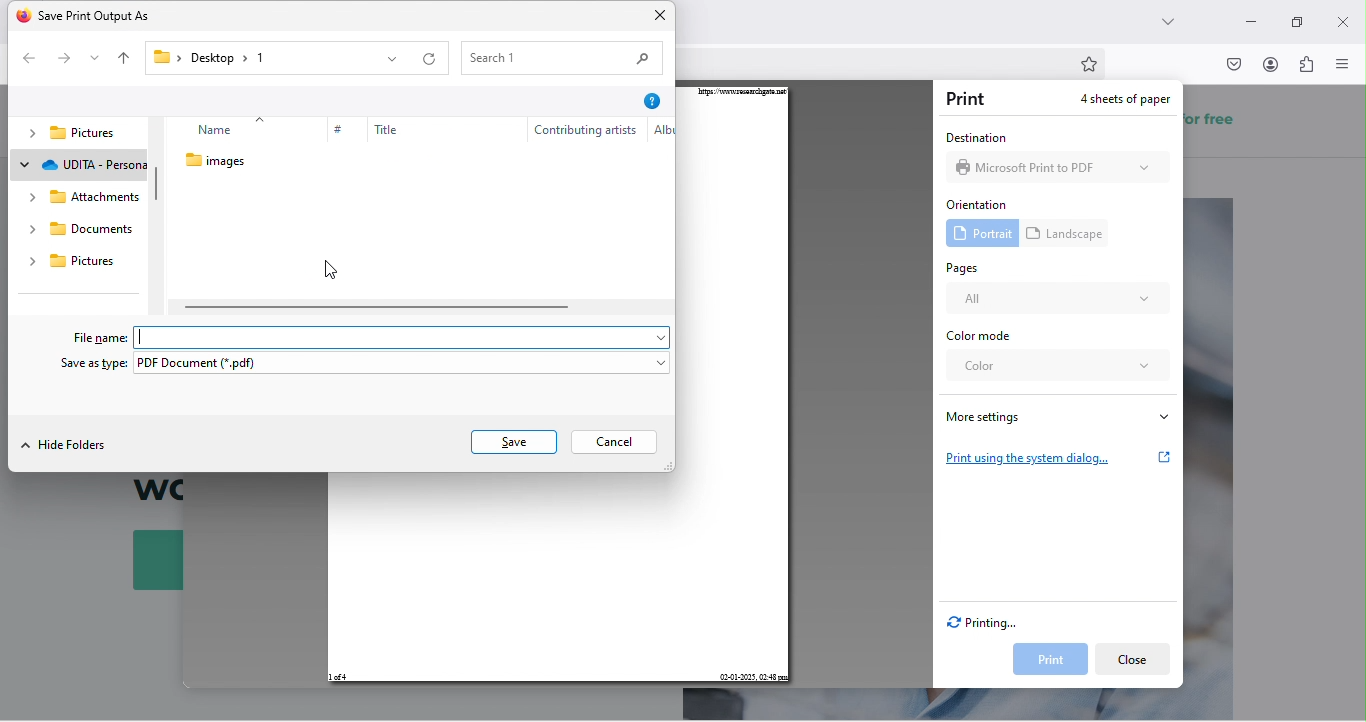  Describe the element at coordinates (1048, 658) in the screenshot. I see `print` at that location.